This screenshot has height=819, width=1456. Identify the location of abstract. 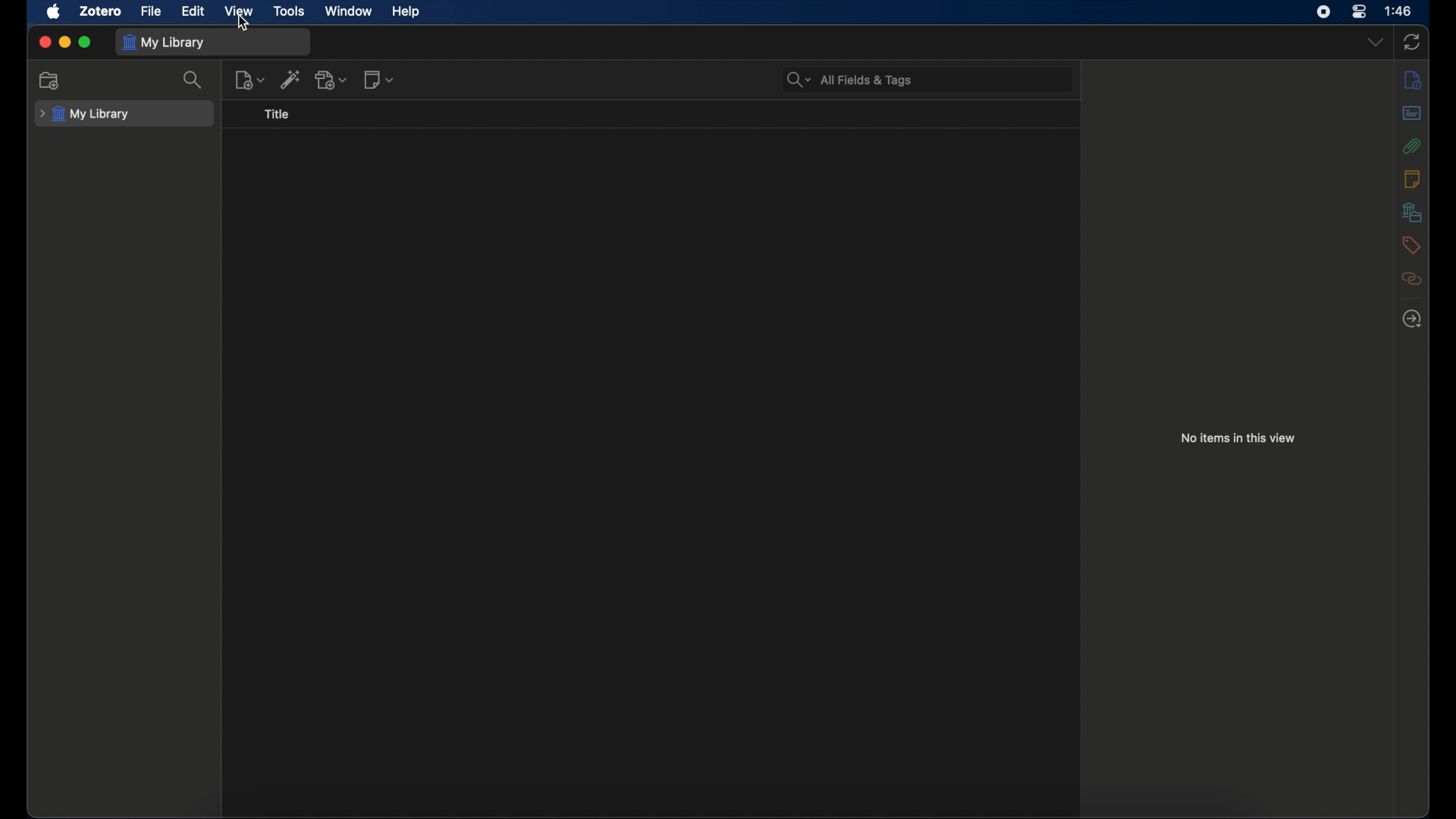
(1414, 112).